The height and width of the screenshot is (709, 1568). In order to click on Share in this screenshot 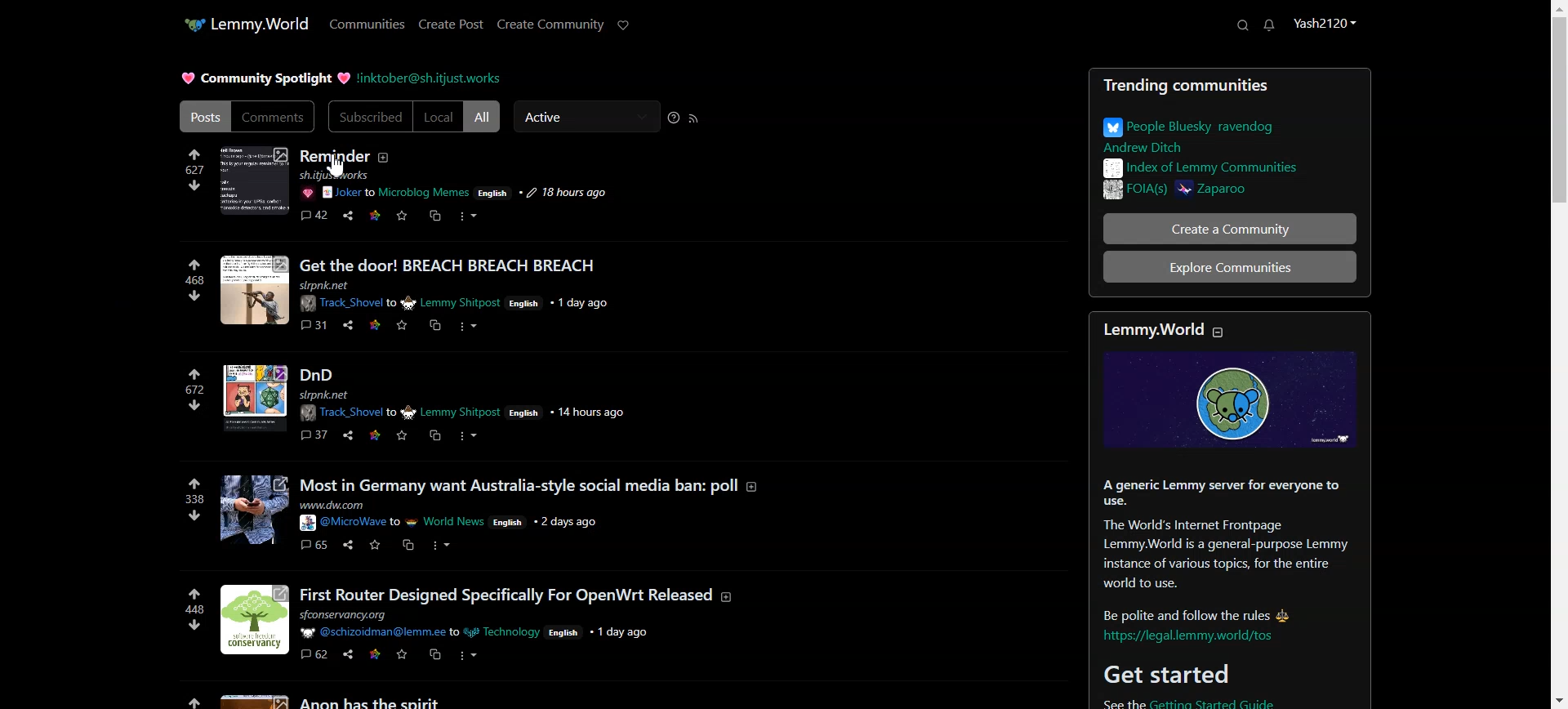, I will do `click(347, 215)`.